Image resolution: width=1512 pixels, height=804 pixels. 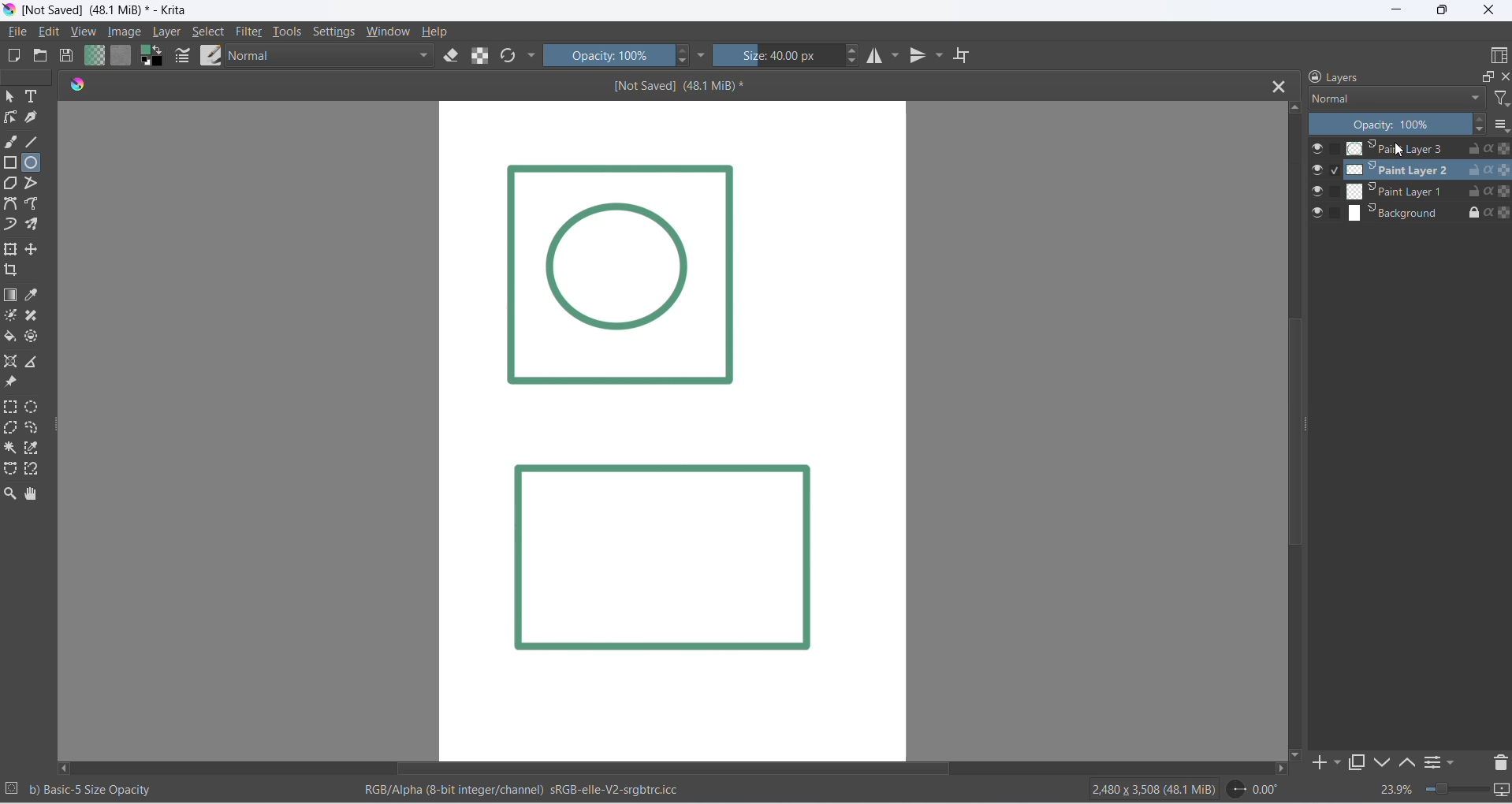 I want to click on mask tool, so click(x=11, y=316).